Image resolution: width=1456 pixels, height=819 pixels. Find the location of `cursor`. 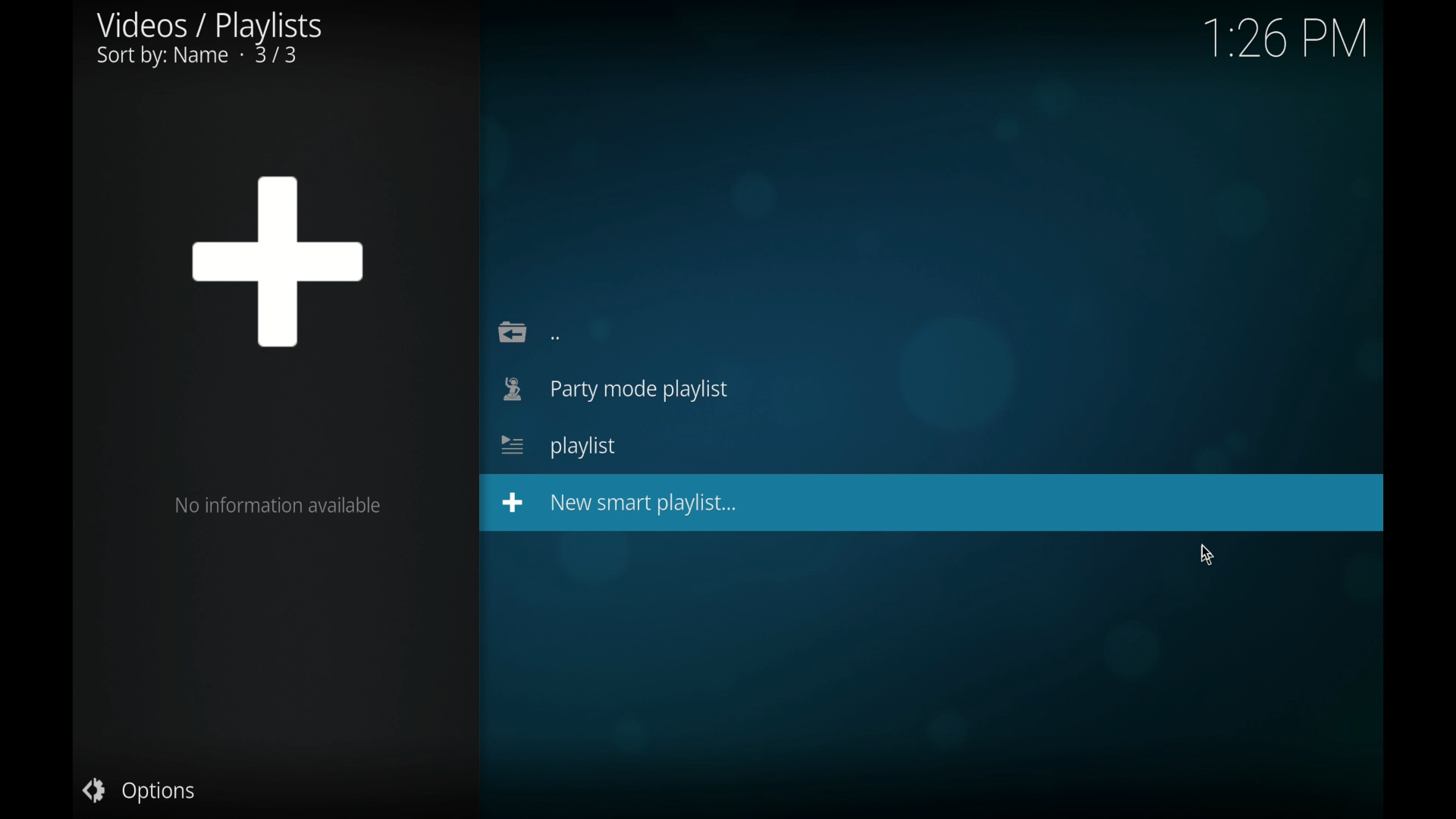

cursor is located at coordinates (1212, 554).